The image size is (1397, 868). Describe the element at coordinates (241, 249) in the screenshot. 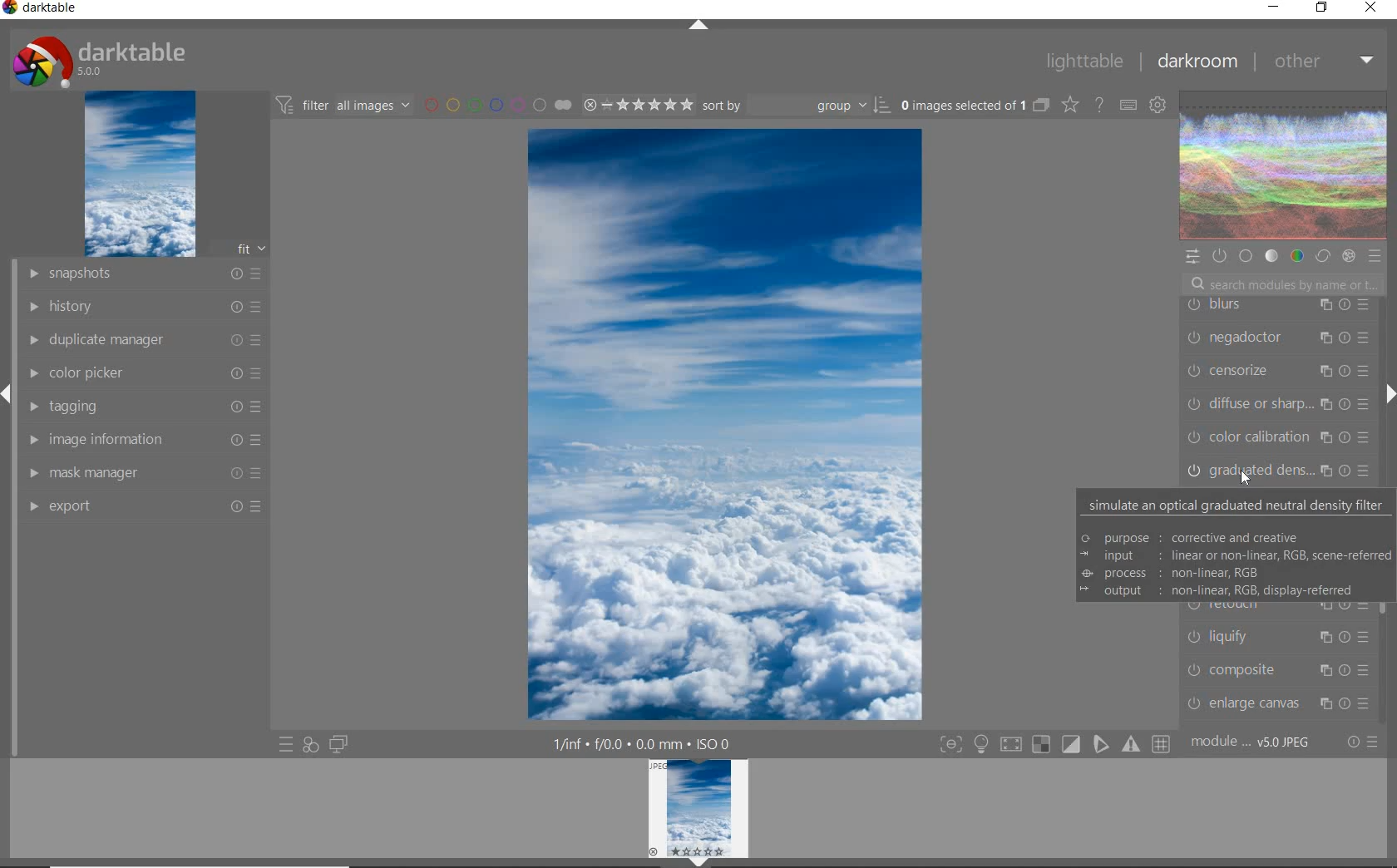

I see `fit` at that location.